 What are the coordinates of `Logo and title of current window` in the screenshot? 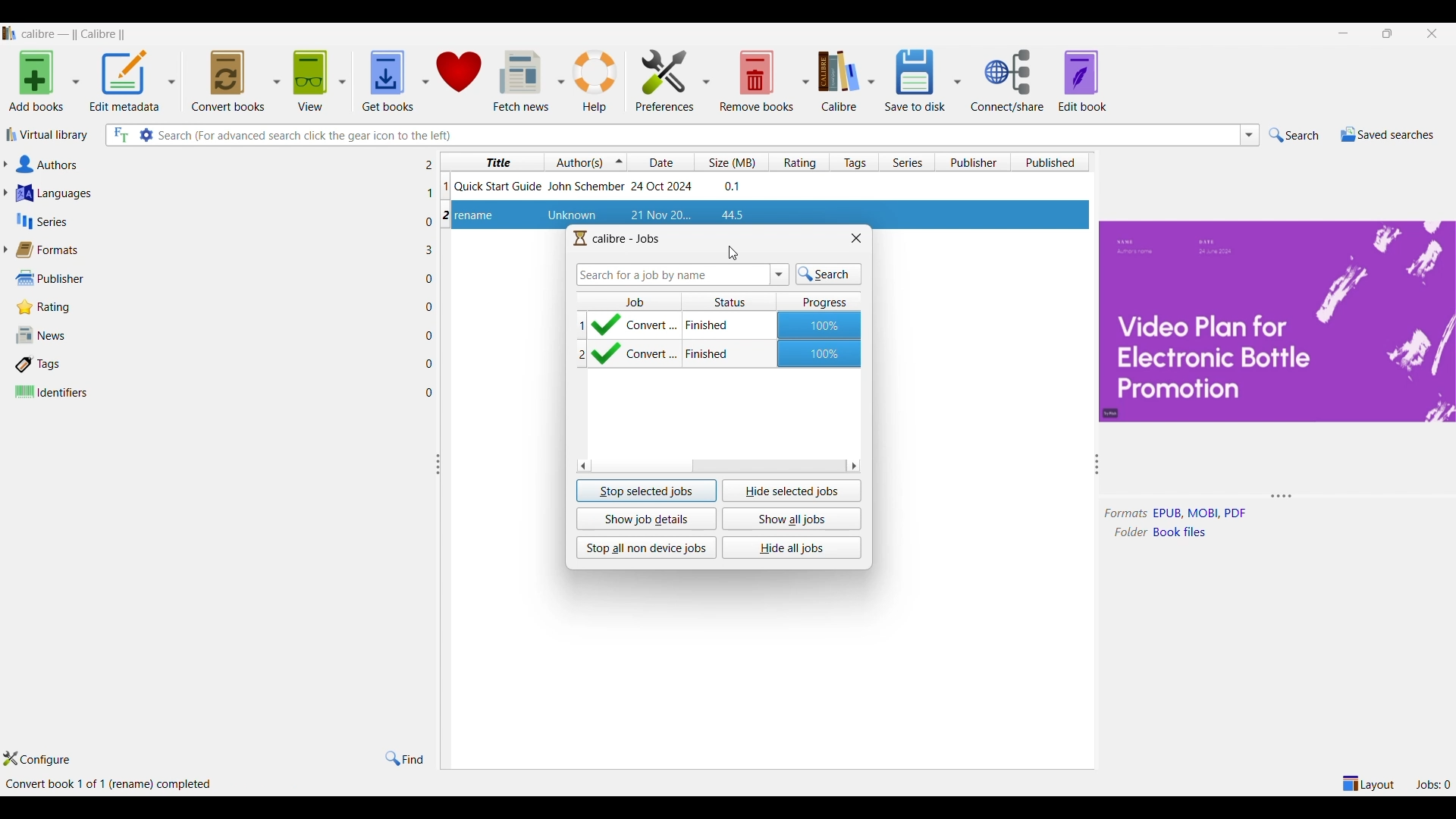 It's located at (617, 239).